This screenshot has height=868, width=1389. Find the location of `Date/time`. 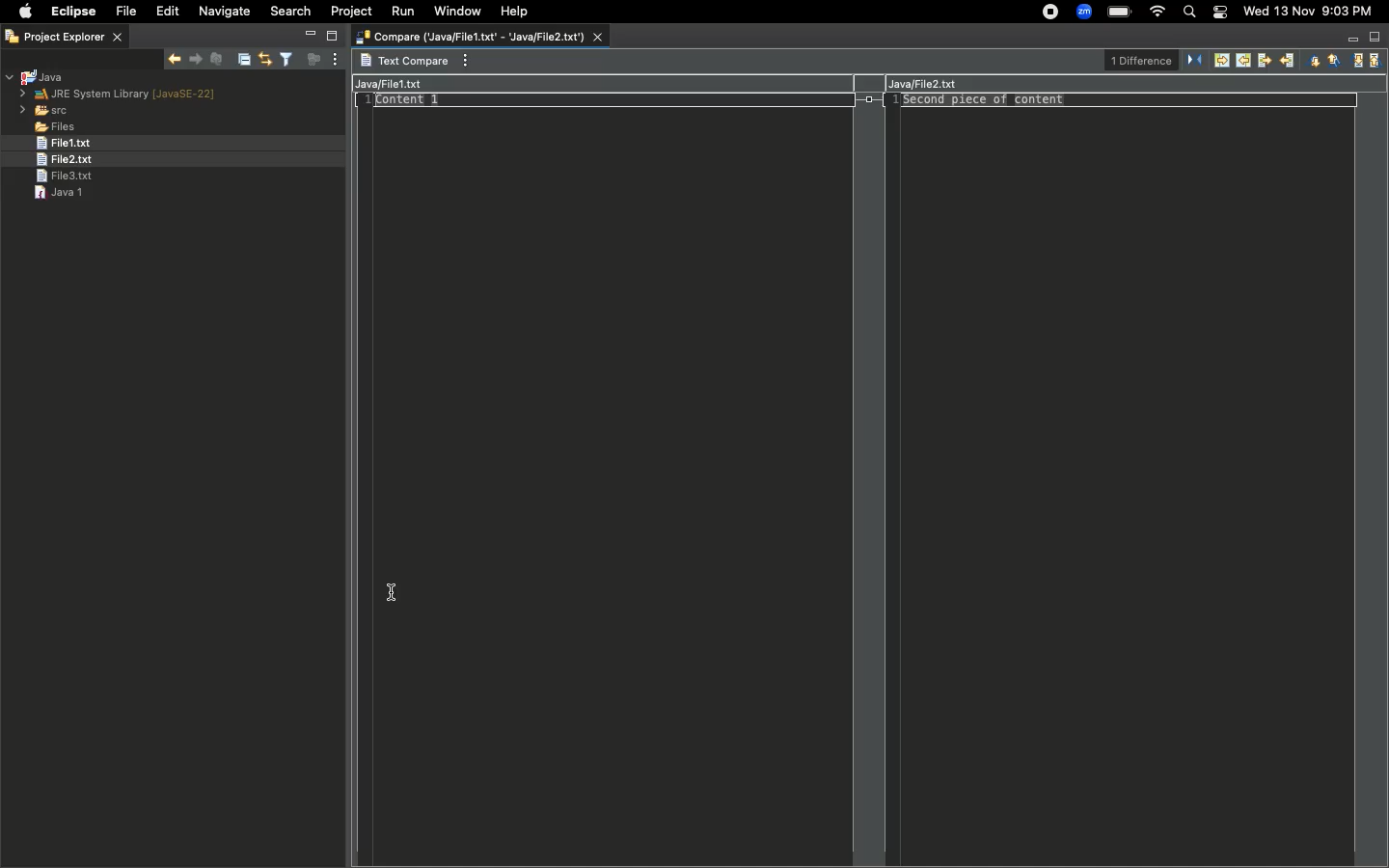

Date/time is located at coordinates (1310, 12).